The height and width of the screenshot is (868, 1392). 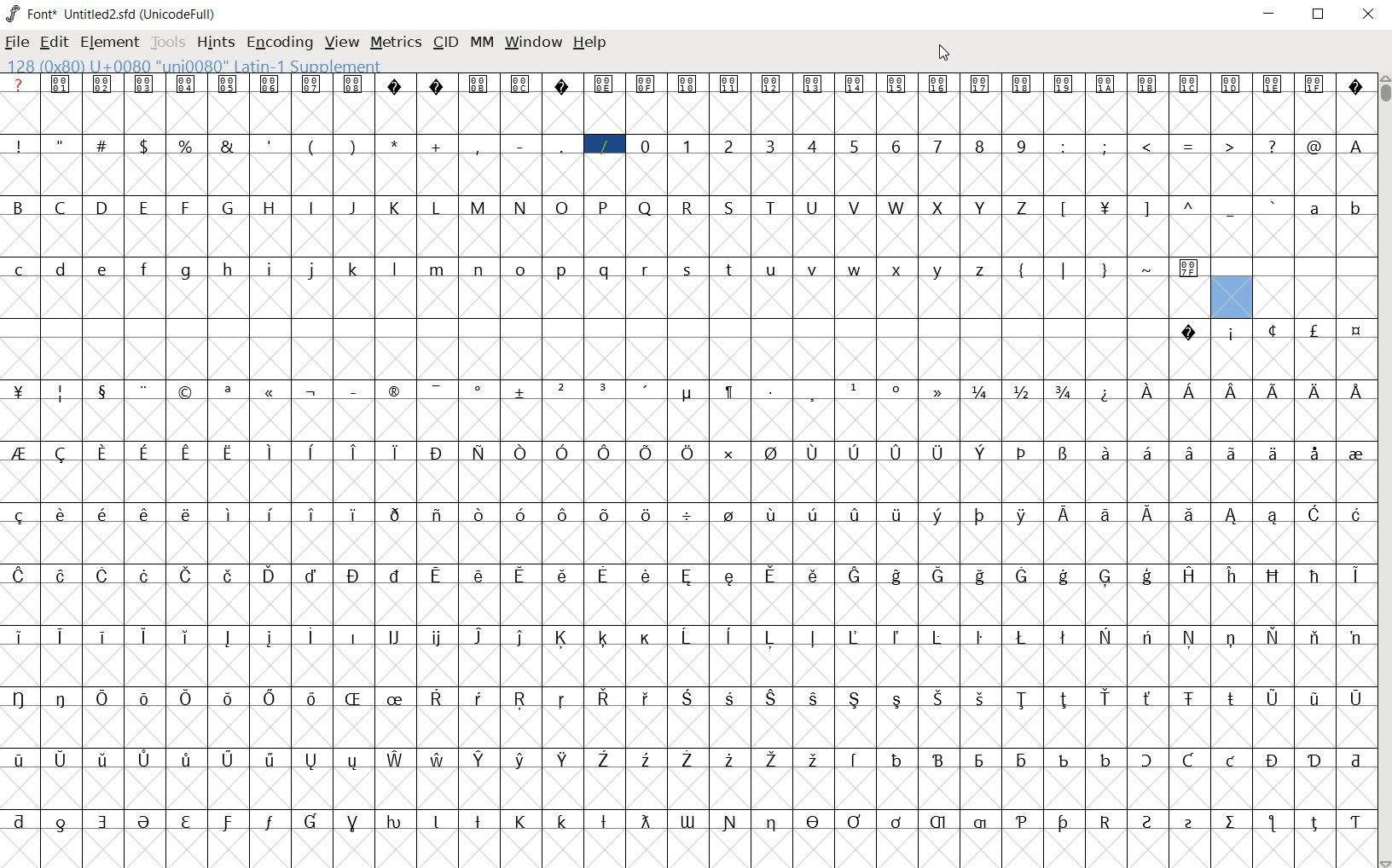 What do you see at coordinates (101, 144) in the screenshot?
I see `glyph` at bounding box center [101, 144].